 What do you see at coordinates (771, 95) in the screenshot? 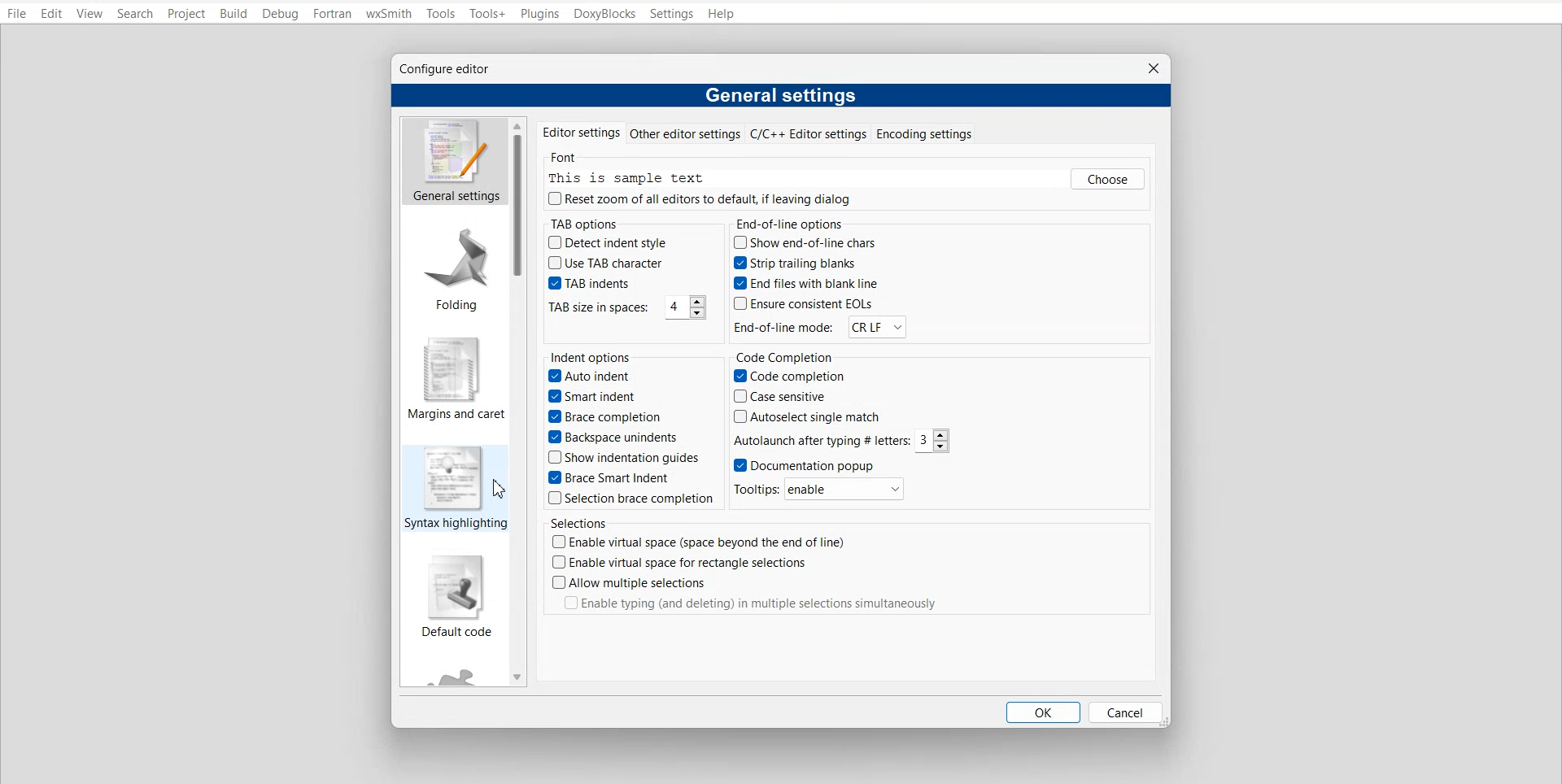
I see `General settings` at bounding box center [771, 95].